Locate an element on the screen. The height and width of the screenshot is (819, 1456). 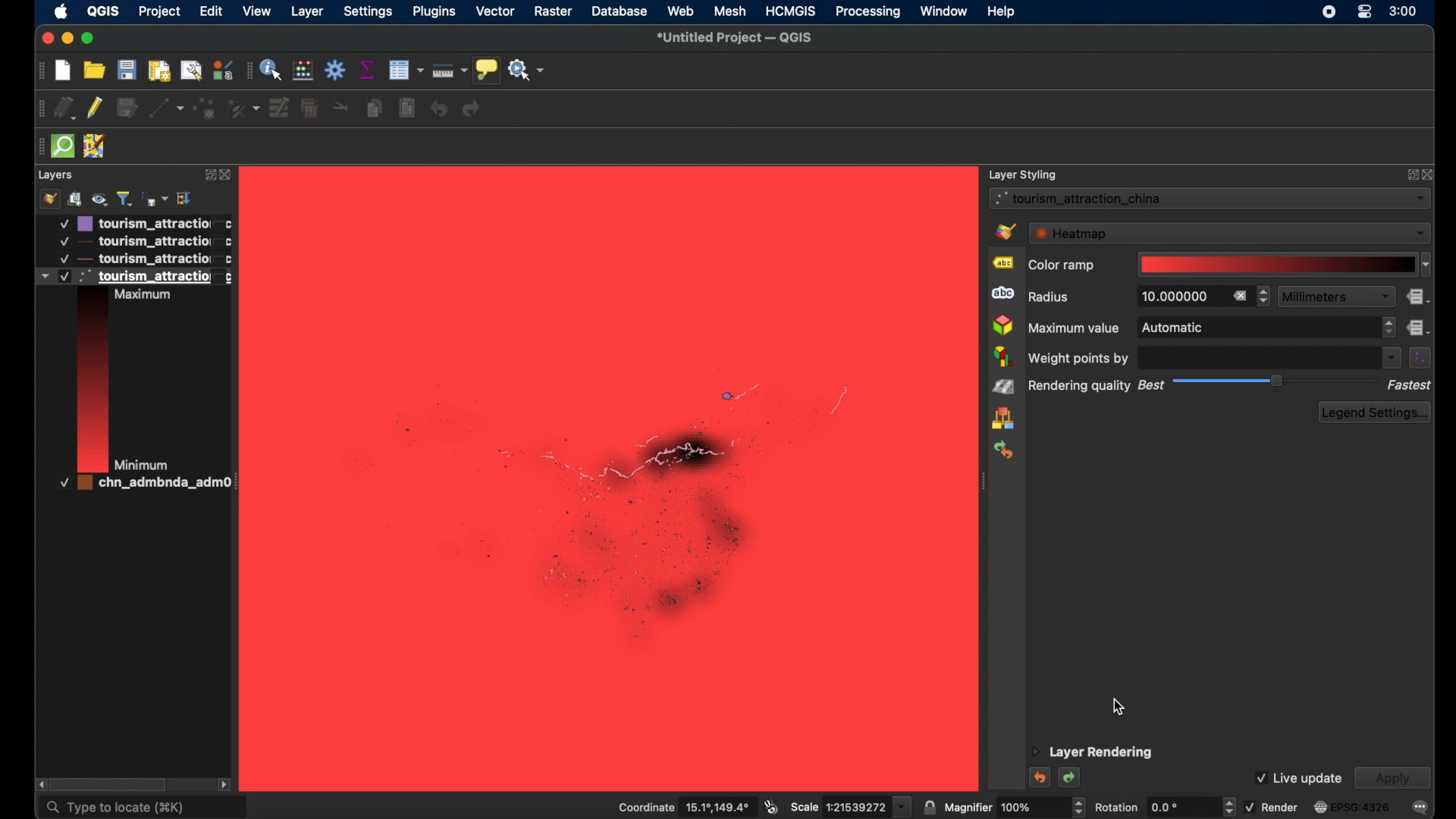
plugins is located at coordinates (435, 13).